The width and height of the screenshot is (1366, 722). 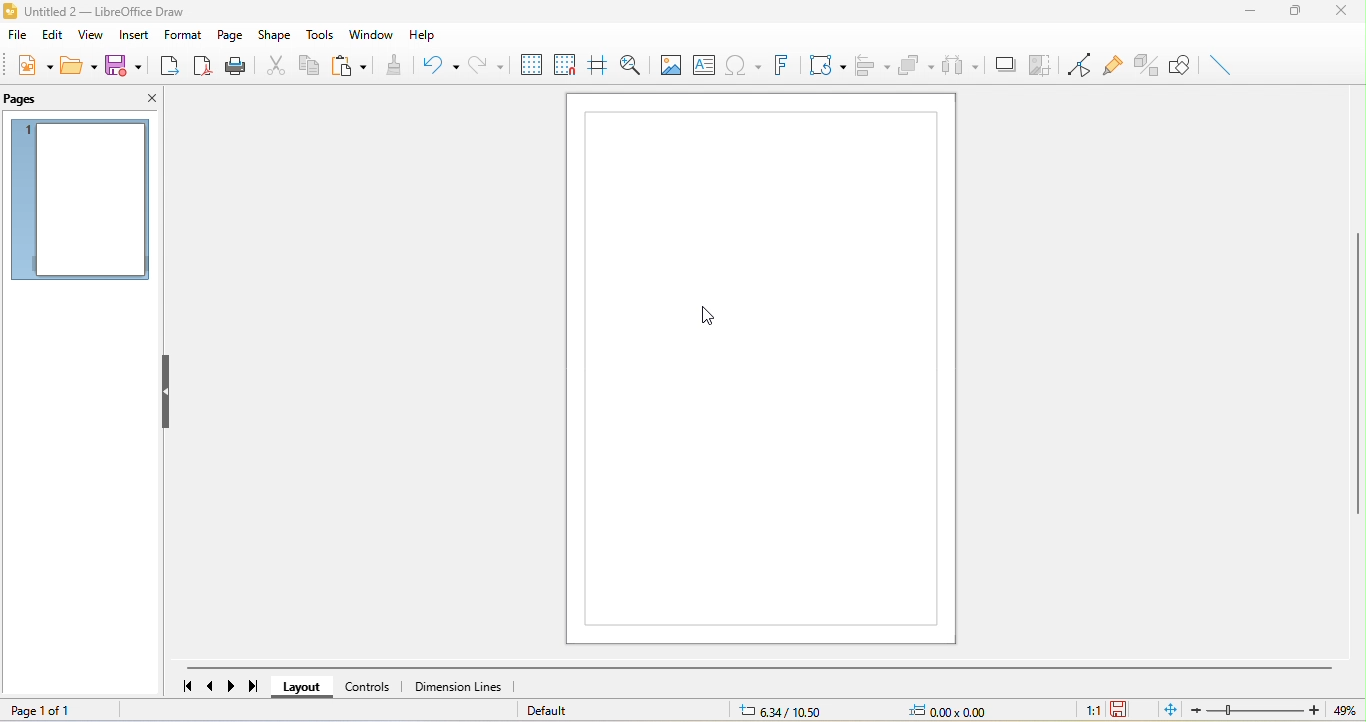 What do you see at coordinates (565, 64) in the screenshot?
I see `snap to grid` at bounding box center [565, 64].